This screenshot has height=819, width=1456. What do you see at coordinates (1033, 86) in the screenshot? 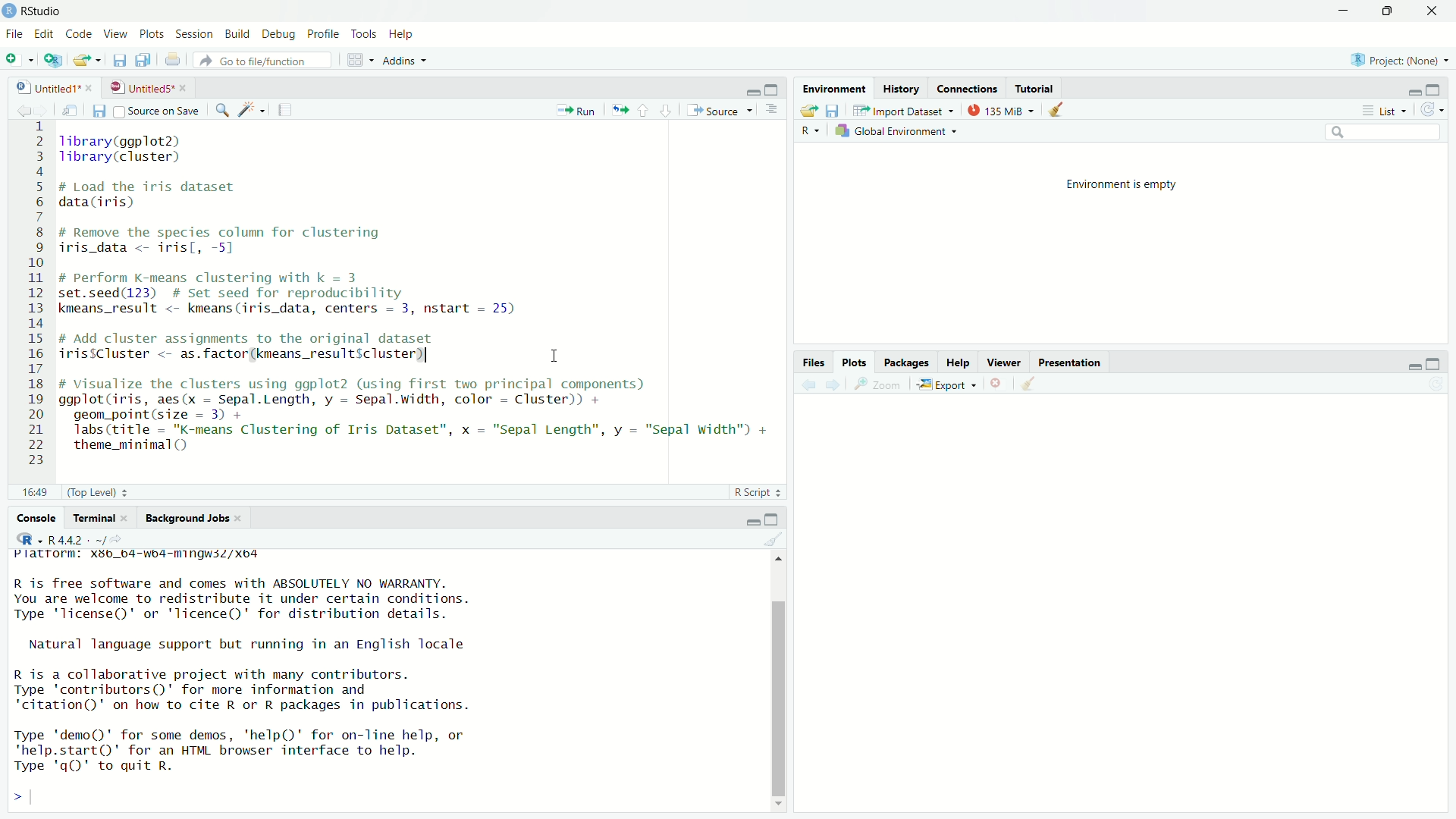
I see `Tutorial` at bounding box center [1033, 86].